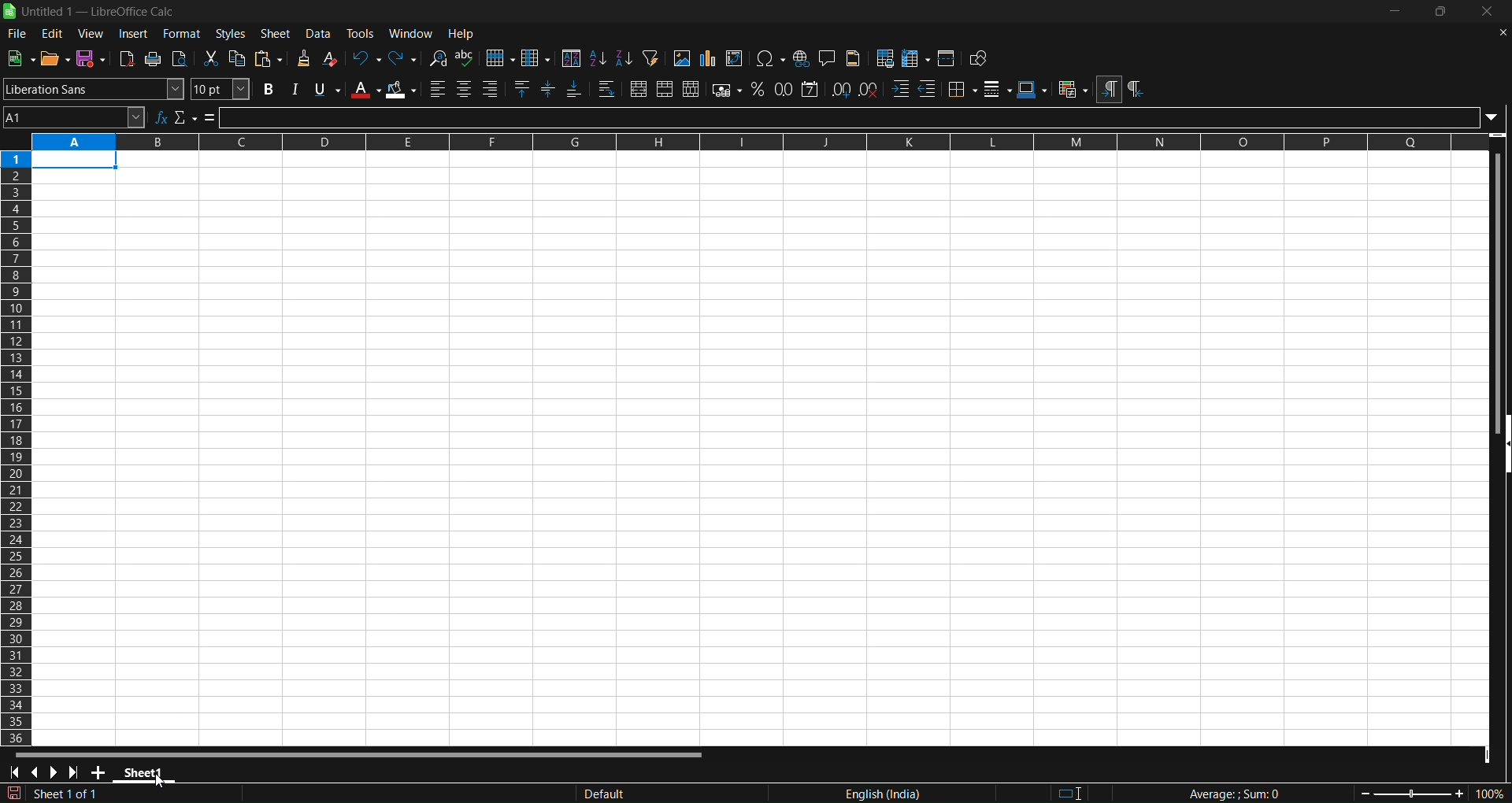 The height and width of the screenshot is (803, 1512). What do you see at coordinates (91, 58) in the screenshot?
I see `save` at bounding box center [91, 58].